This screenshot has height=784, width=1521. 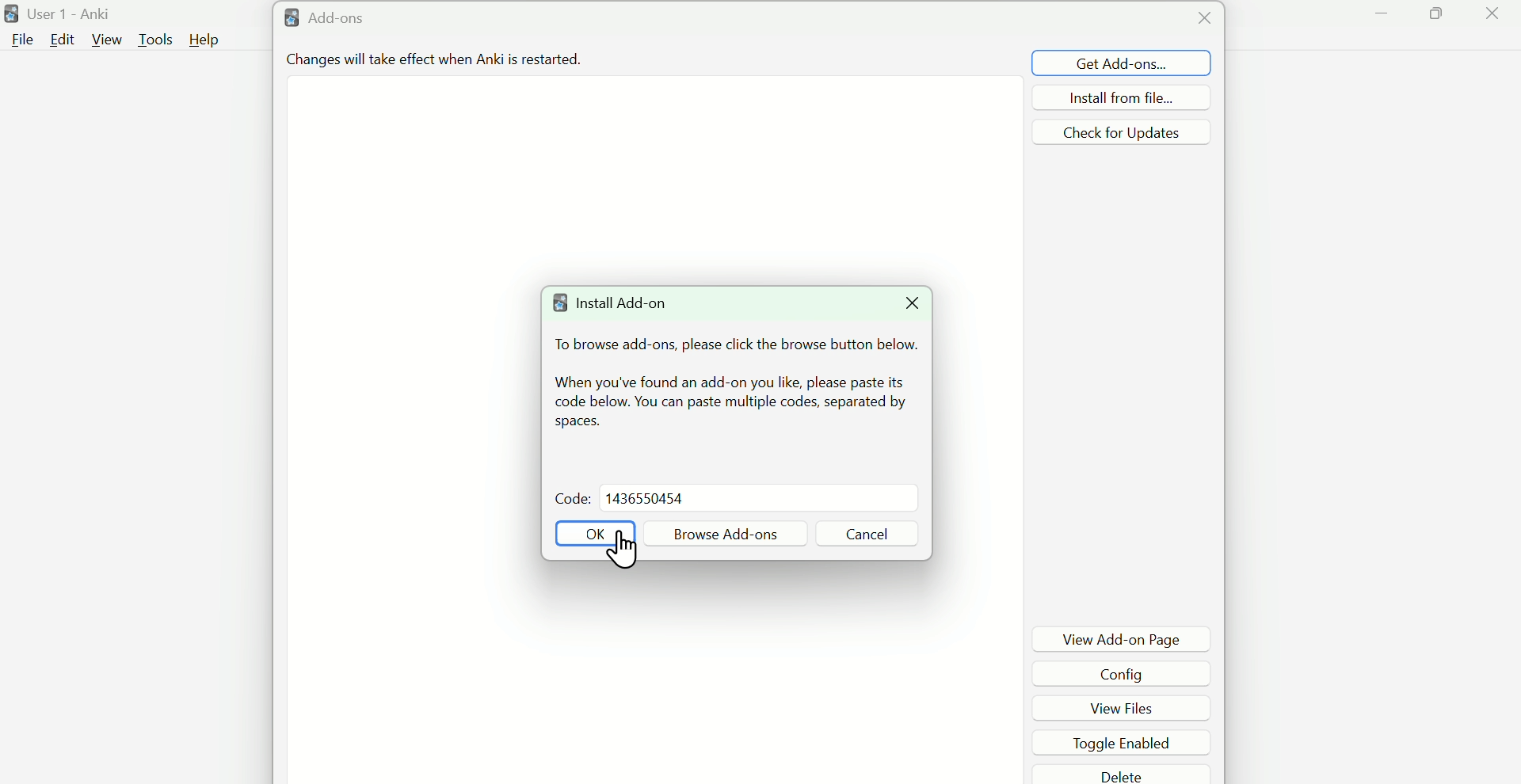 What do you see at coordinates (1439, 17) in the screenshot?
I see `Maximize` at bounding box center [1439, 17].